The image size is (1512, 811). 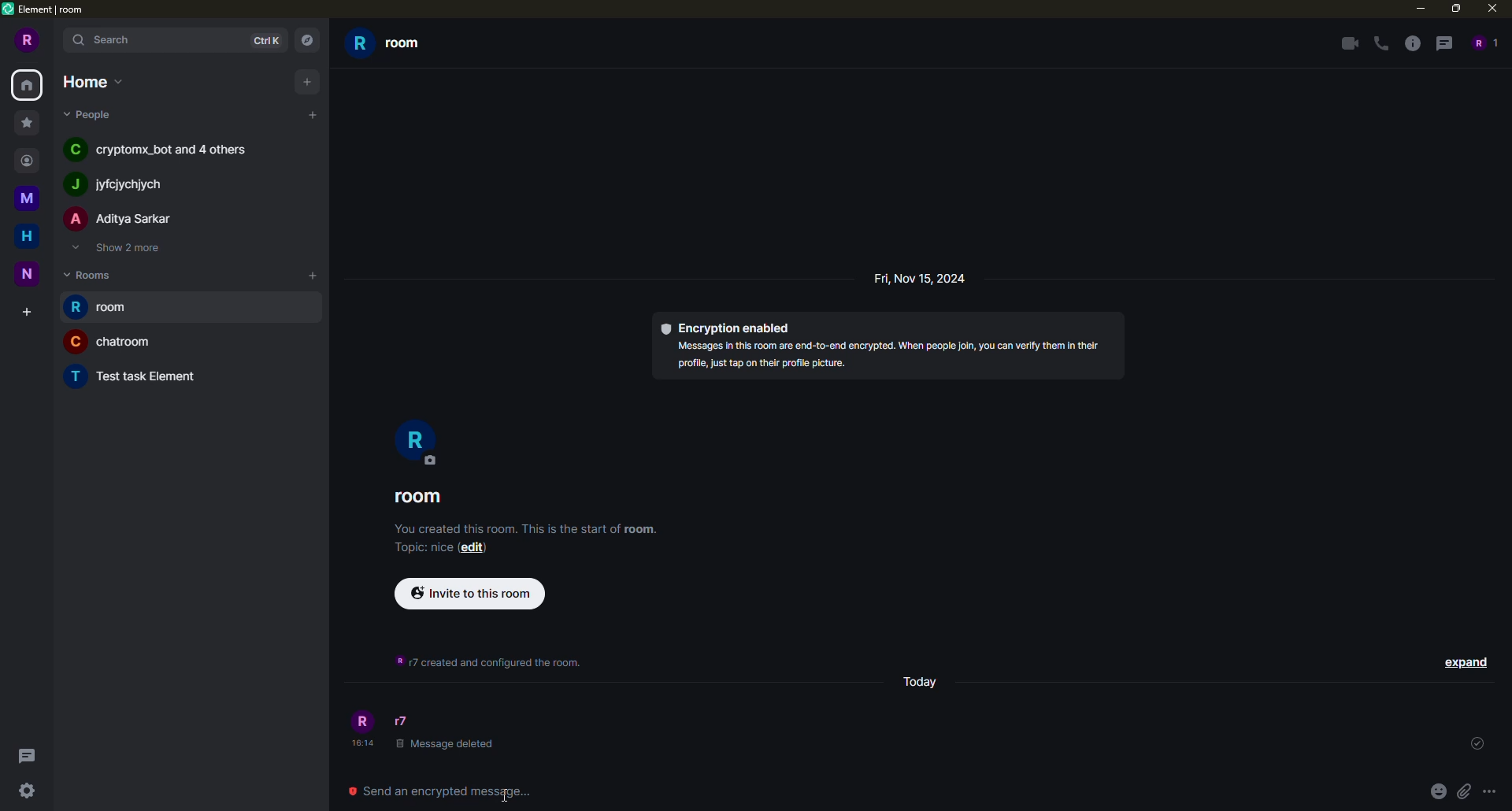 What do you see at coordinates (729, 325) in the screenshot?
I see `encryption enabled` at bounding box center [729, 325].